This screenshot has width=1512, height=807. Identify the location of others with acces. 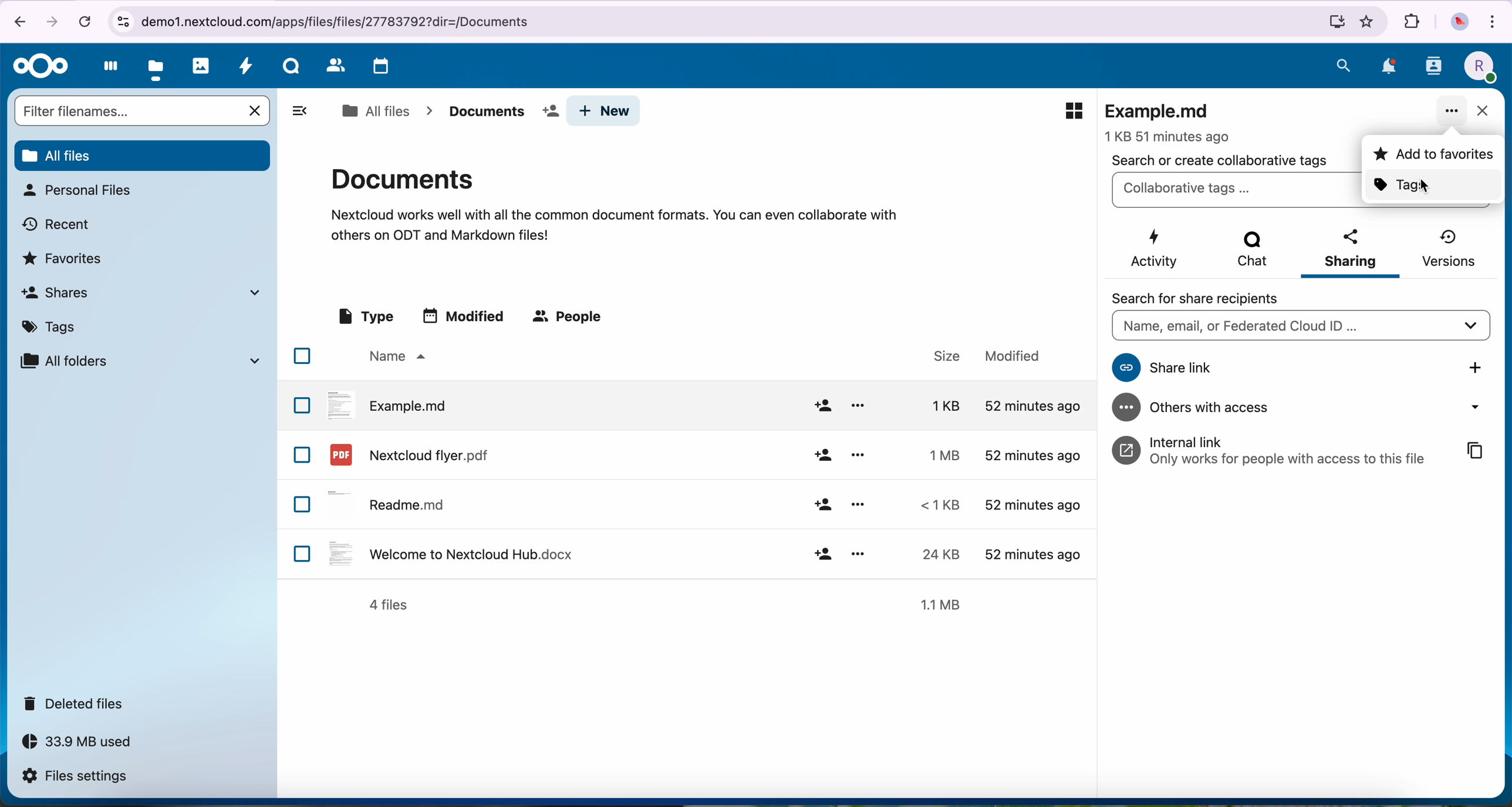
(1305, 408).